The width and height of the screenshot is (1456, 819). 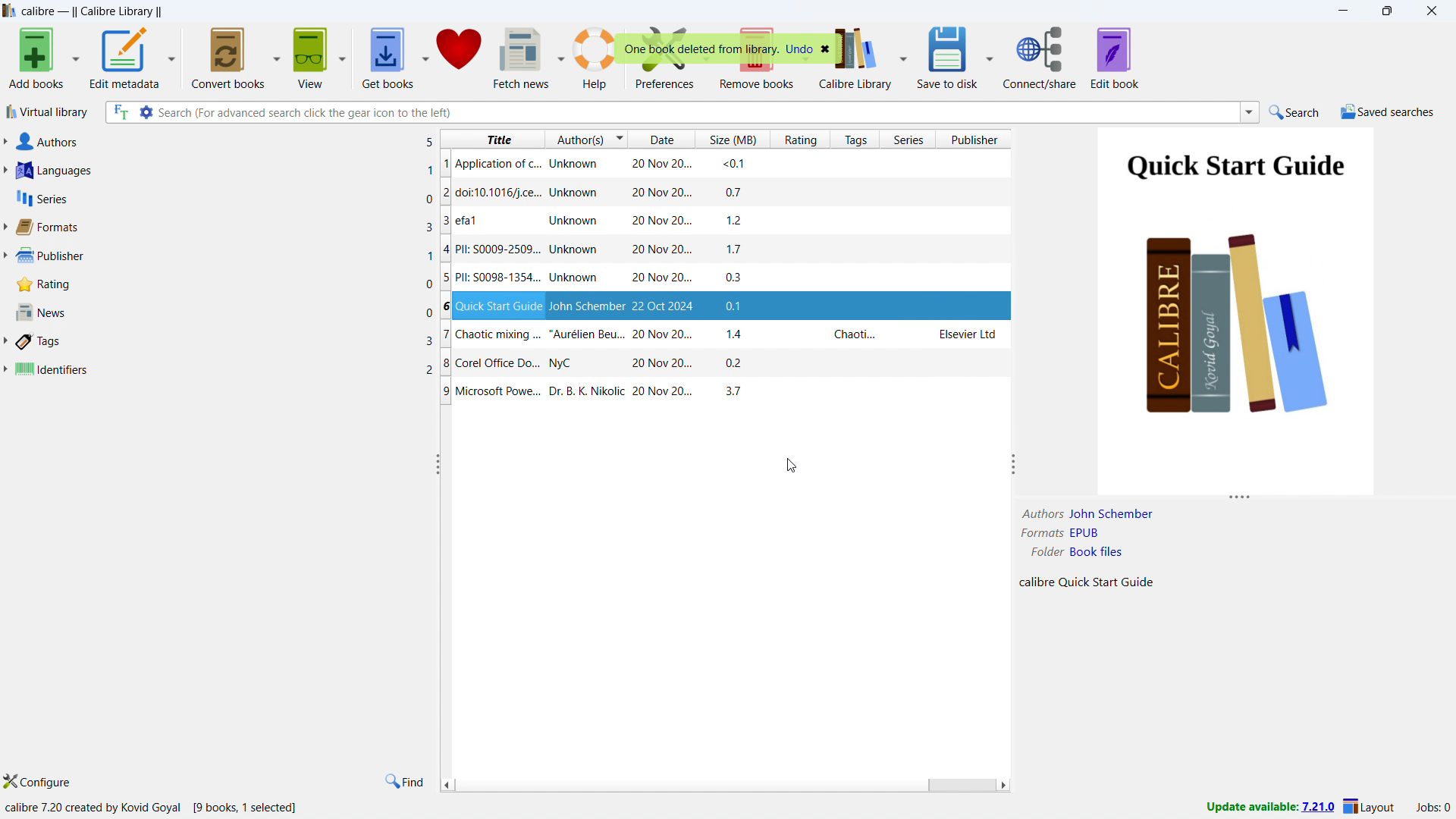 I want to click on layout, so click(x=1370, y=807).